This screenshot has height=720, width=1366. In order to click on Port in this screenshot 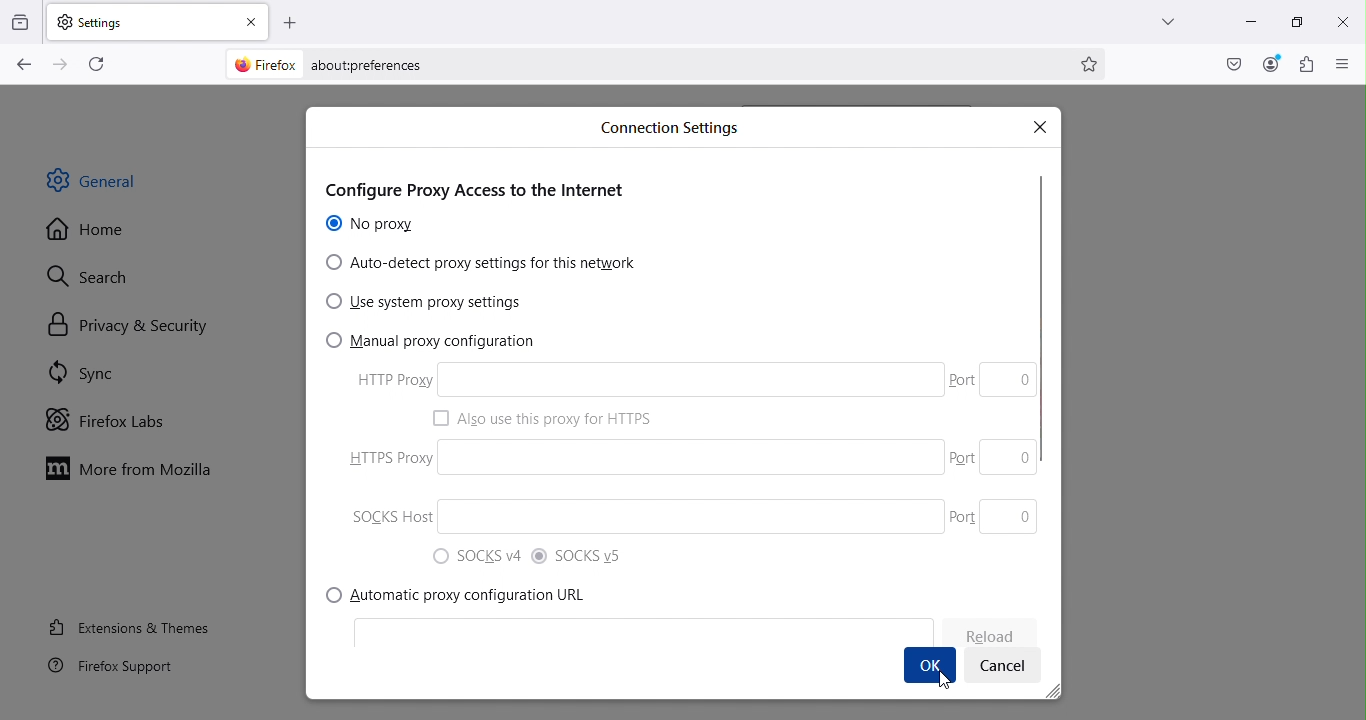, I will do `click(1010, 515)`.